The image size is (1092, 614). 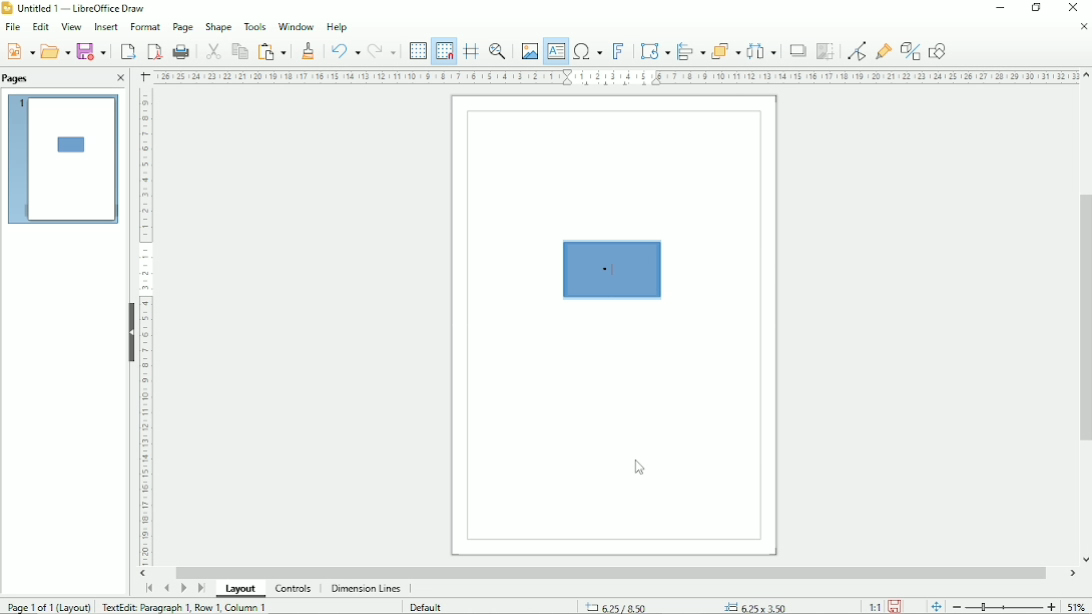 I want to click on Shape, so click(x=217, y=26).